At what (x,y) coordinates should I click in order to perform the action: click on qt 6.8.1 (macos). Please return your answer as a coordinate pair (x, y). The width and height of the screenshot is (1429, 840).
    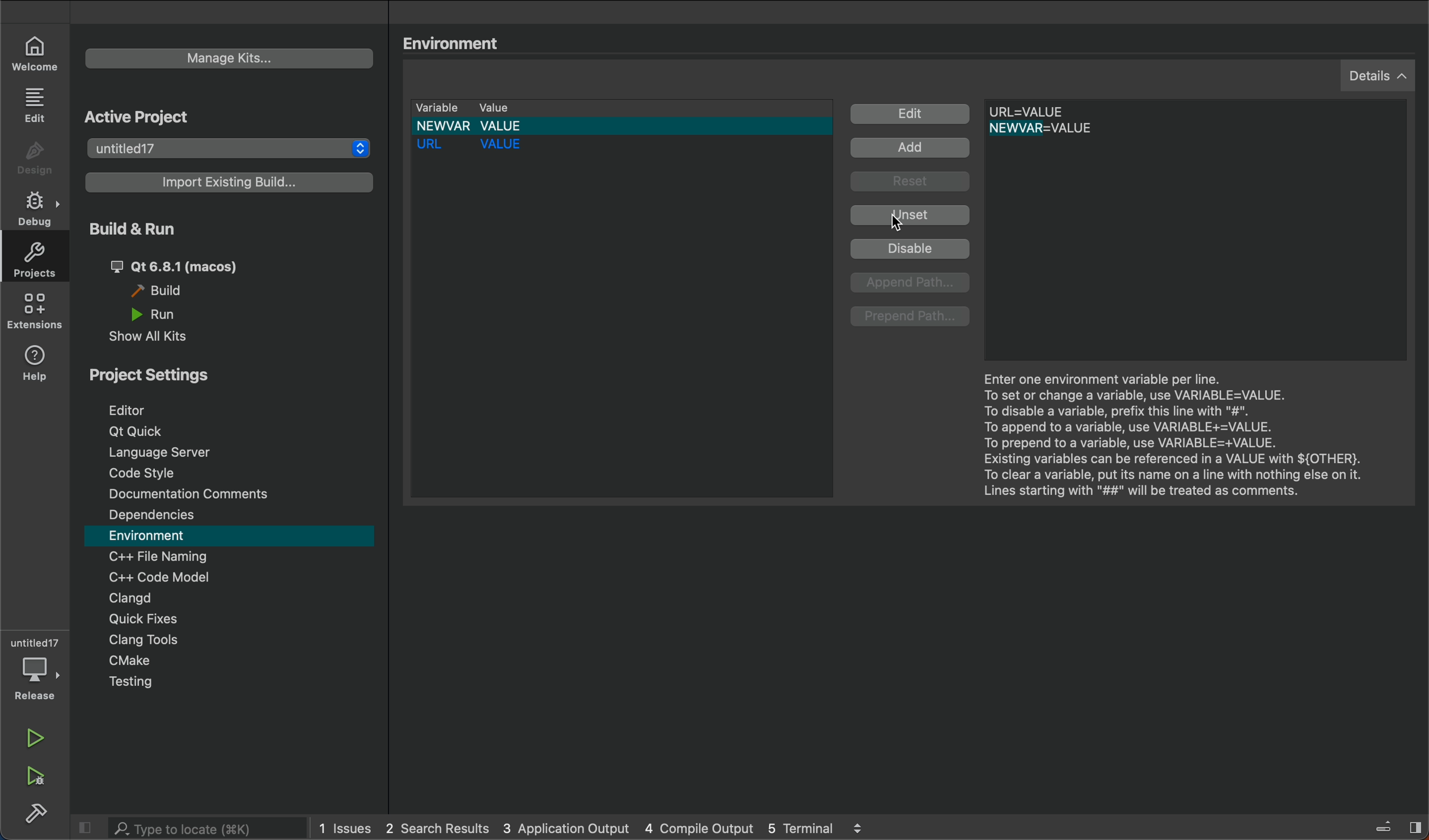
    Looking at the image, I should click on (173, 266).